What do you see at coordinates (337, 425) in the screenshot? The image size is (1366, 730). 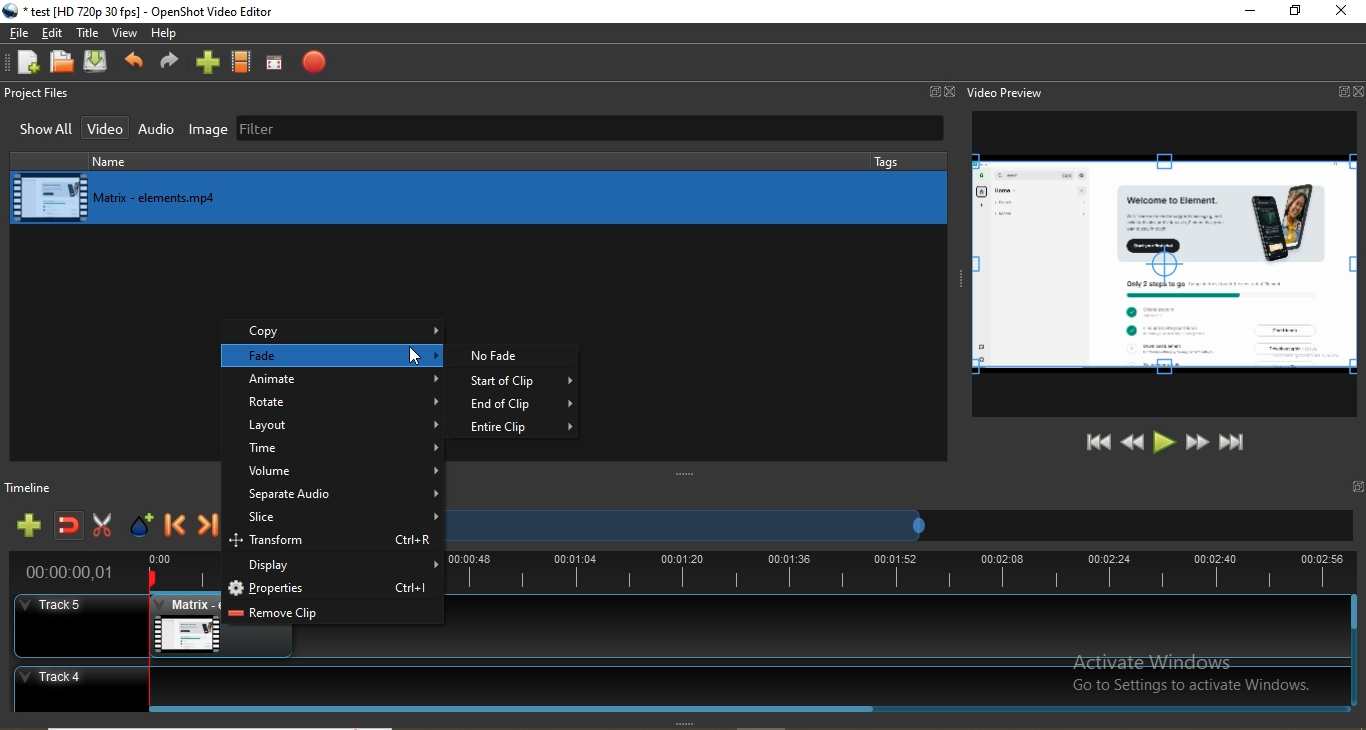 I see `layout` at bounding box center [337, 425].